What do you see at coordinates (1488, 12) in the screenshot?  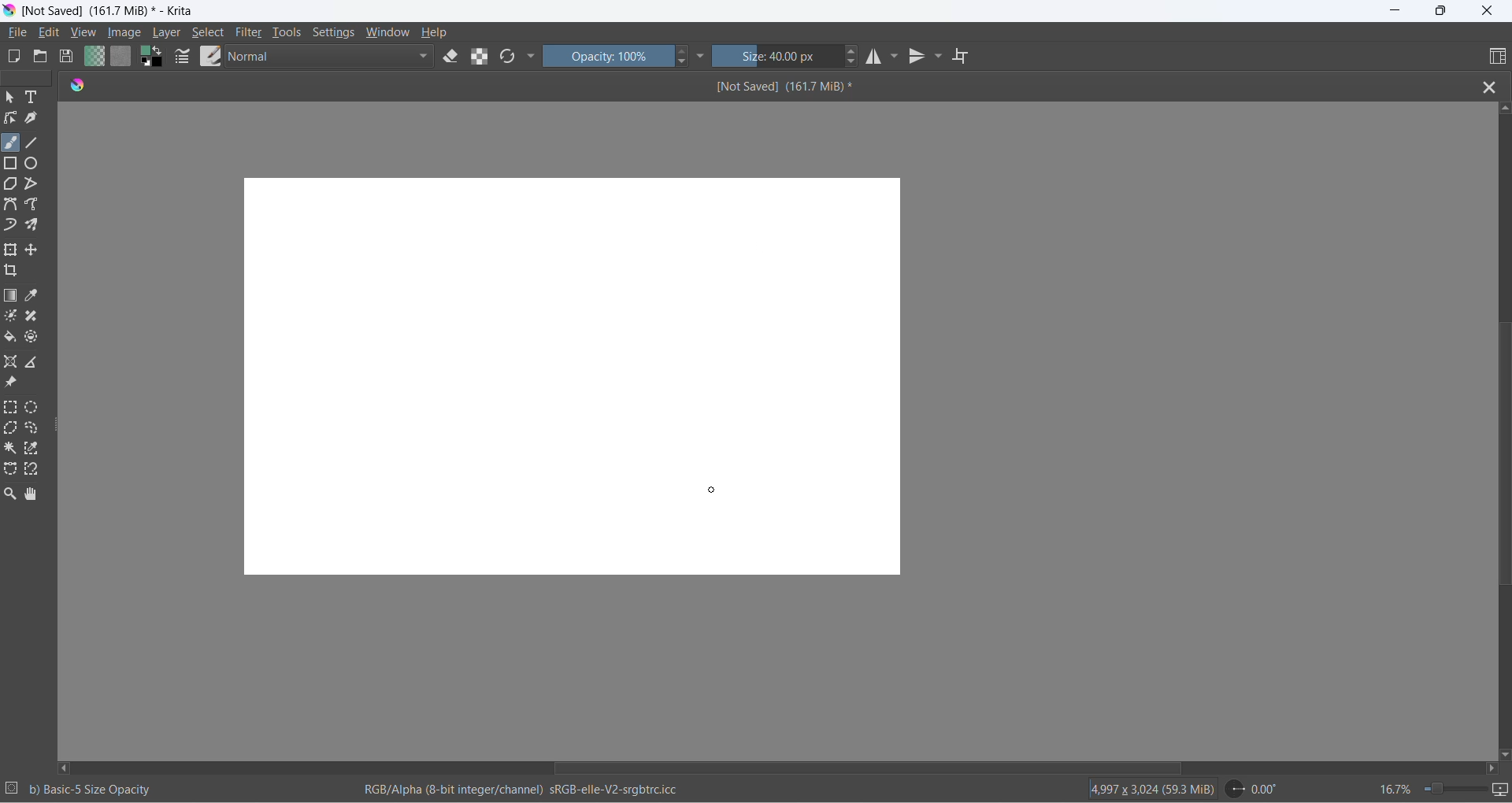 I see `close` at bounding box center [1488, 12].